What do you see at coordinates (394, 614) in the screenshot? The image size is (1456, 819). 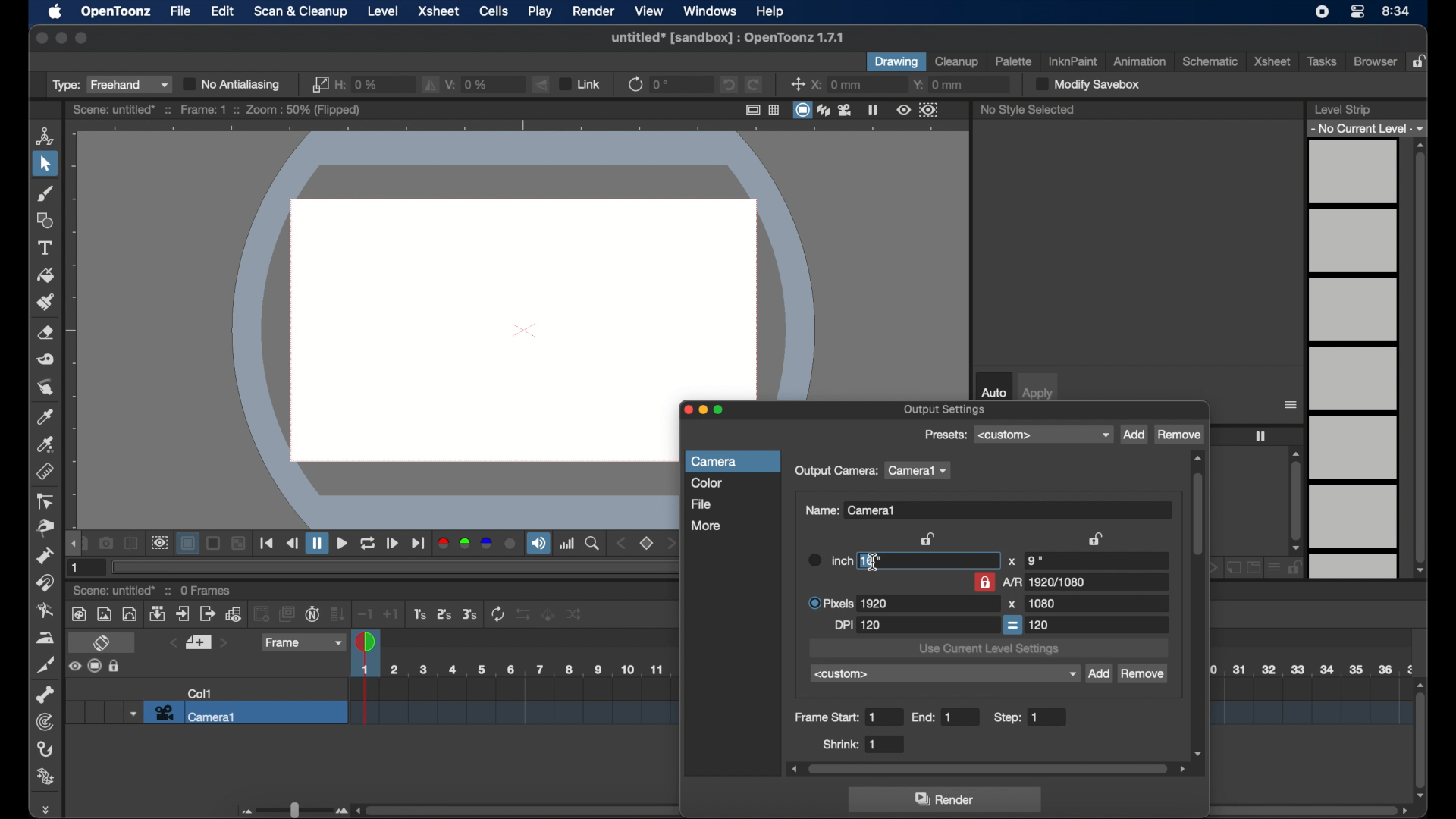 I see `` at bounding box center [394, 614].